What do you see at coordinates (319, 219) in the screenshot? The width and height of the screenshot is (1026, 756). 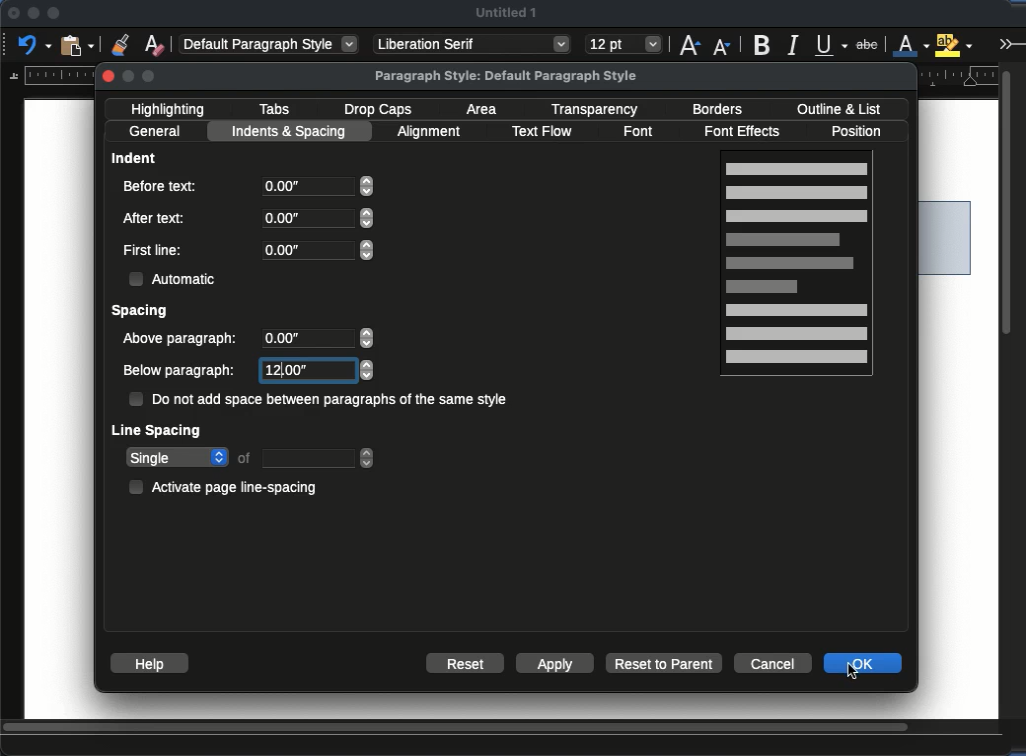 I see `0.00` at bounding box center [319, 219].